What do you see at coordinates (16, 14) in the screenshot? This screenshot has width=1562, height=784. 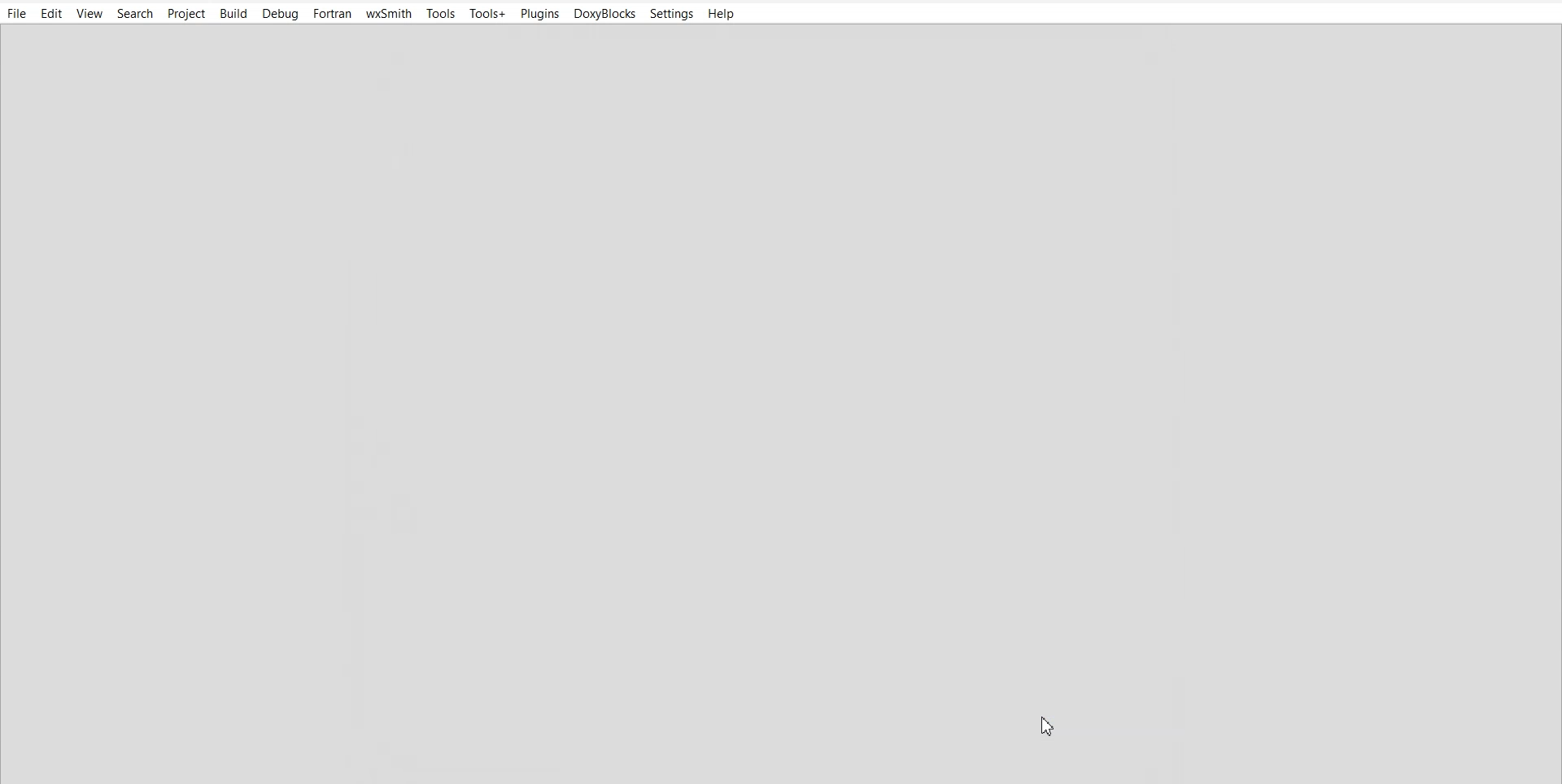 I see `File ` at bounding box center [16, 14].